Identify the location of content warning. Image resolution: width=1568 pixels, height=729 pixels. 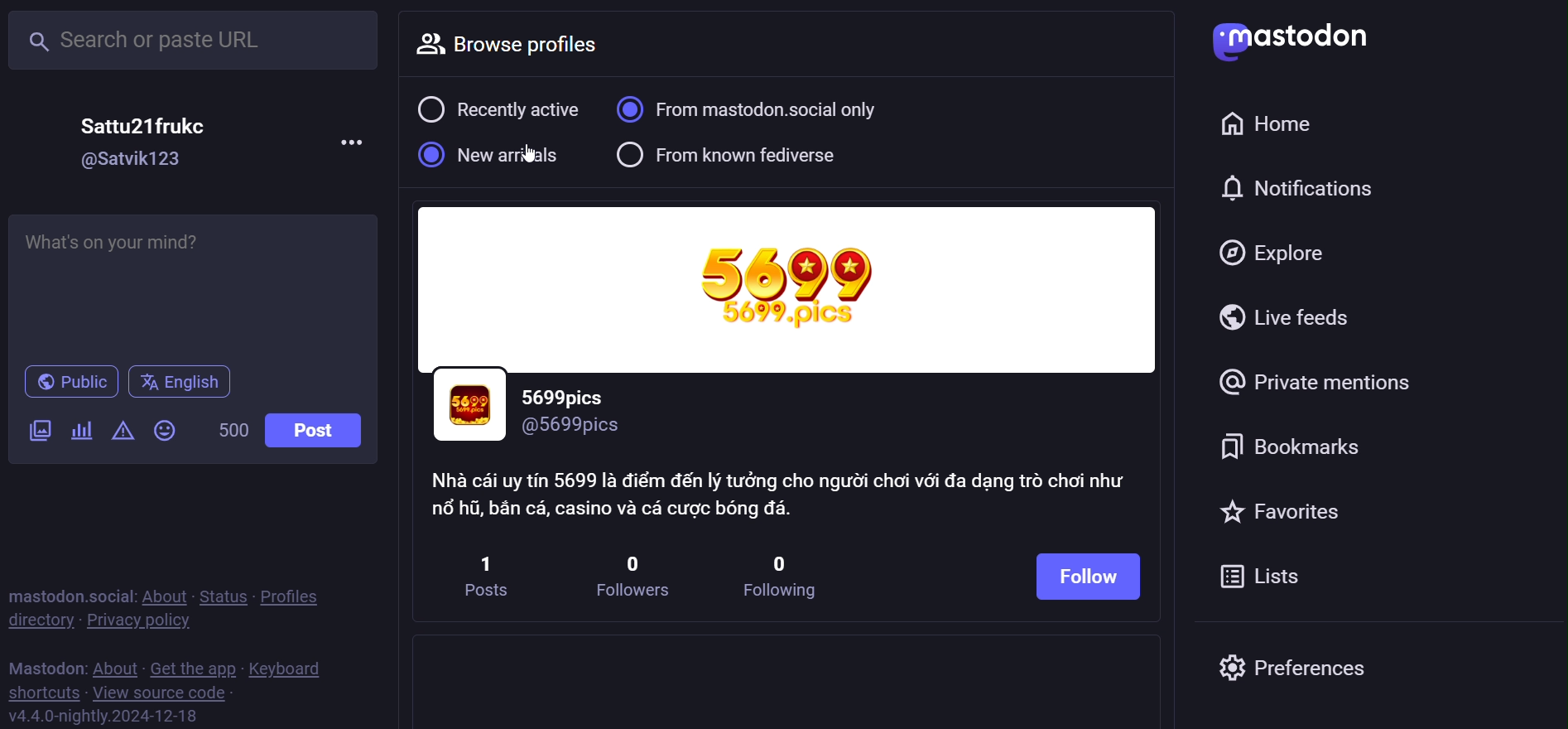
(122, 432).